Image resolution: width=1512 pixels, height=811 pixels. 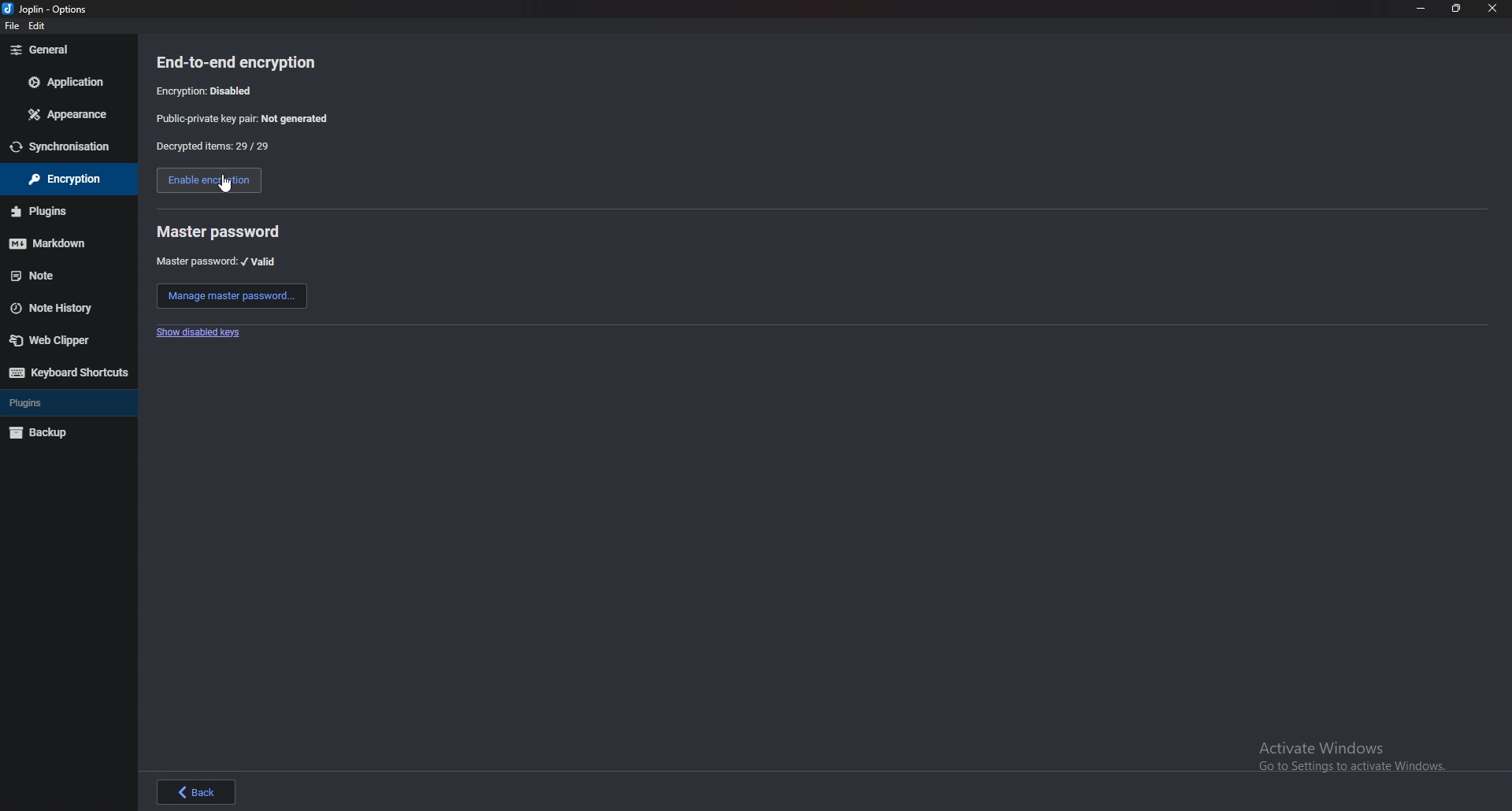 I want to click on decrypted items 29/29, so click(x=213, y=147).